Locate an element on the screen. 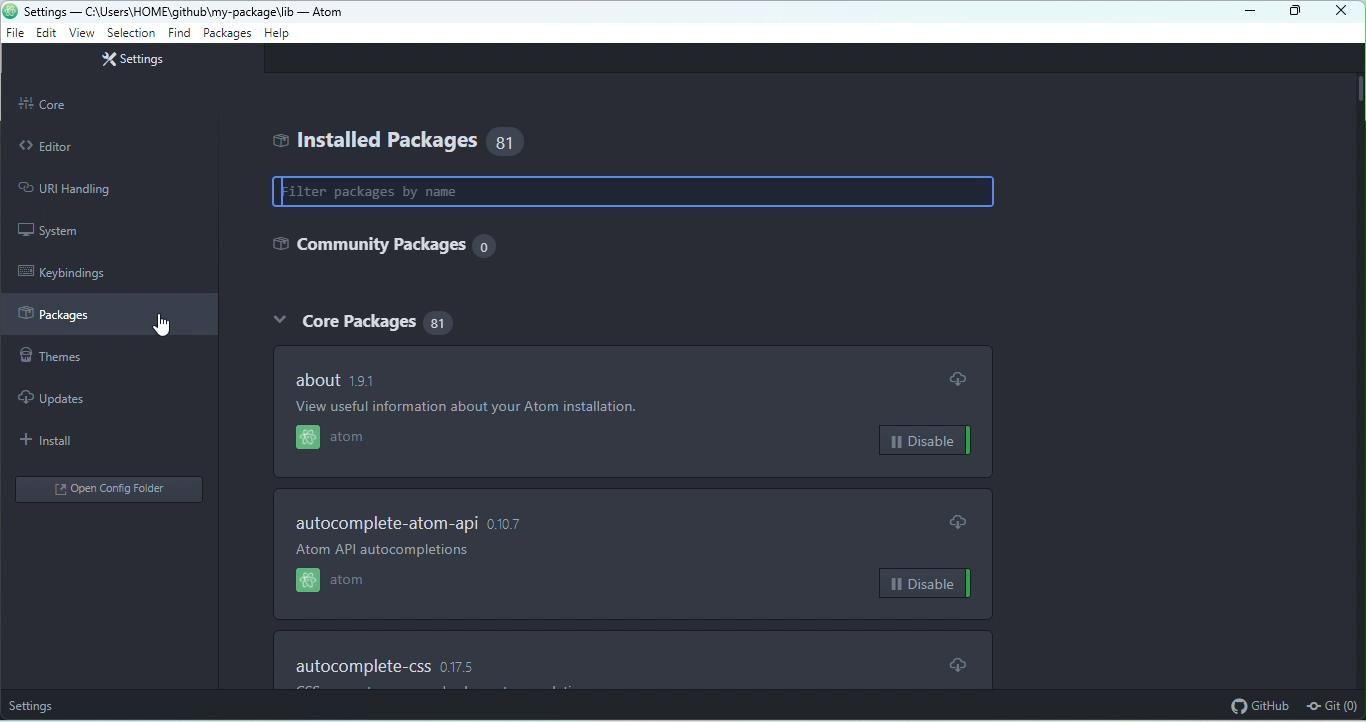 The image size is (1366, 722). update is located at coordinates (961, 380).